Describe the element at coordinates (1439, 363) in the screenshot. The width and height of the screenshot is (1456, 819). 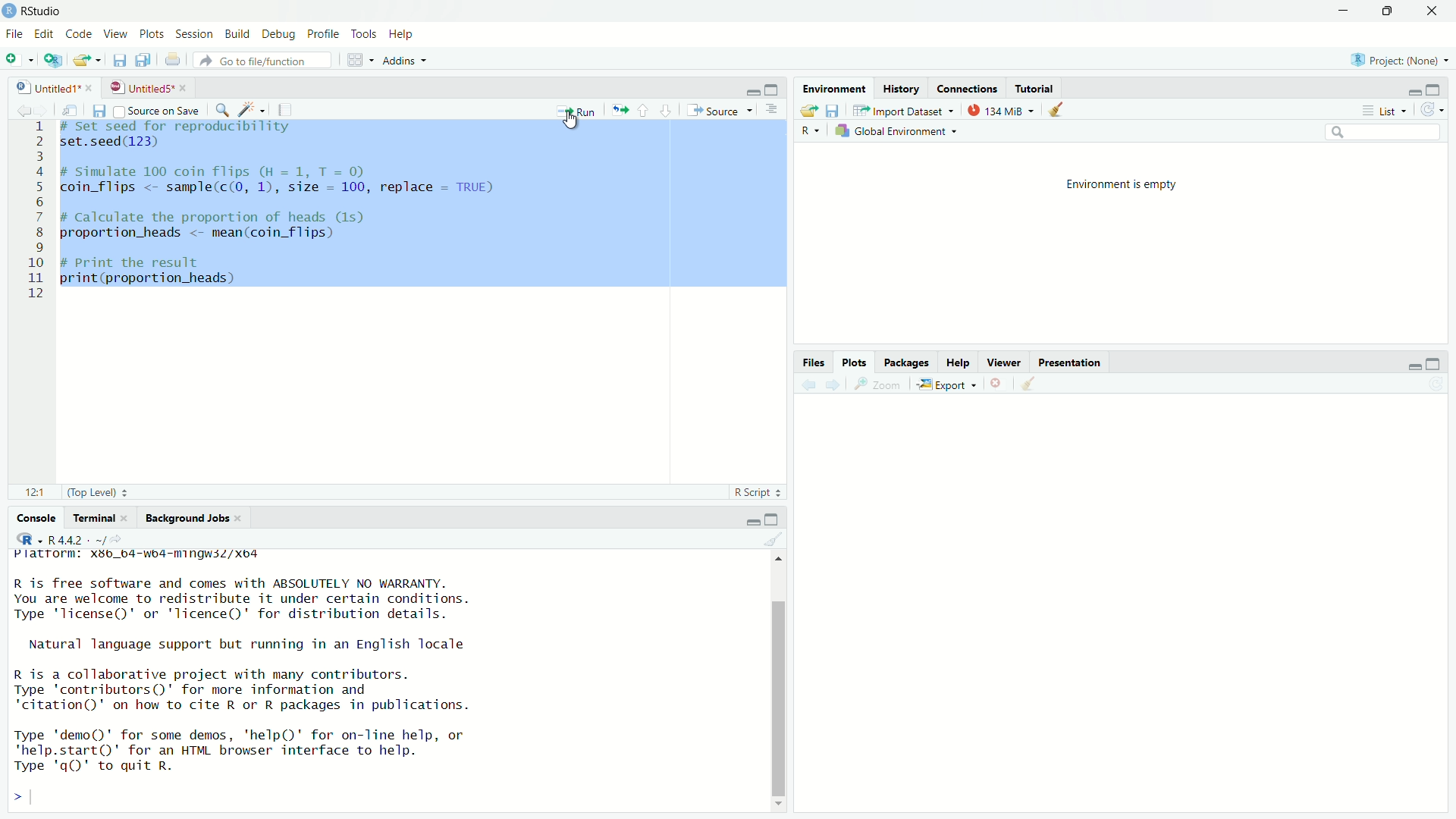
I see `maximize` at that location.